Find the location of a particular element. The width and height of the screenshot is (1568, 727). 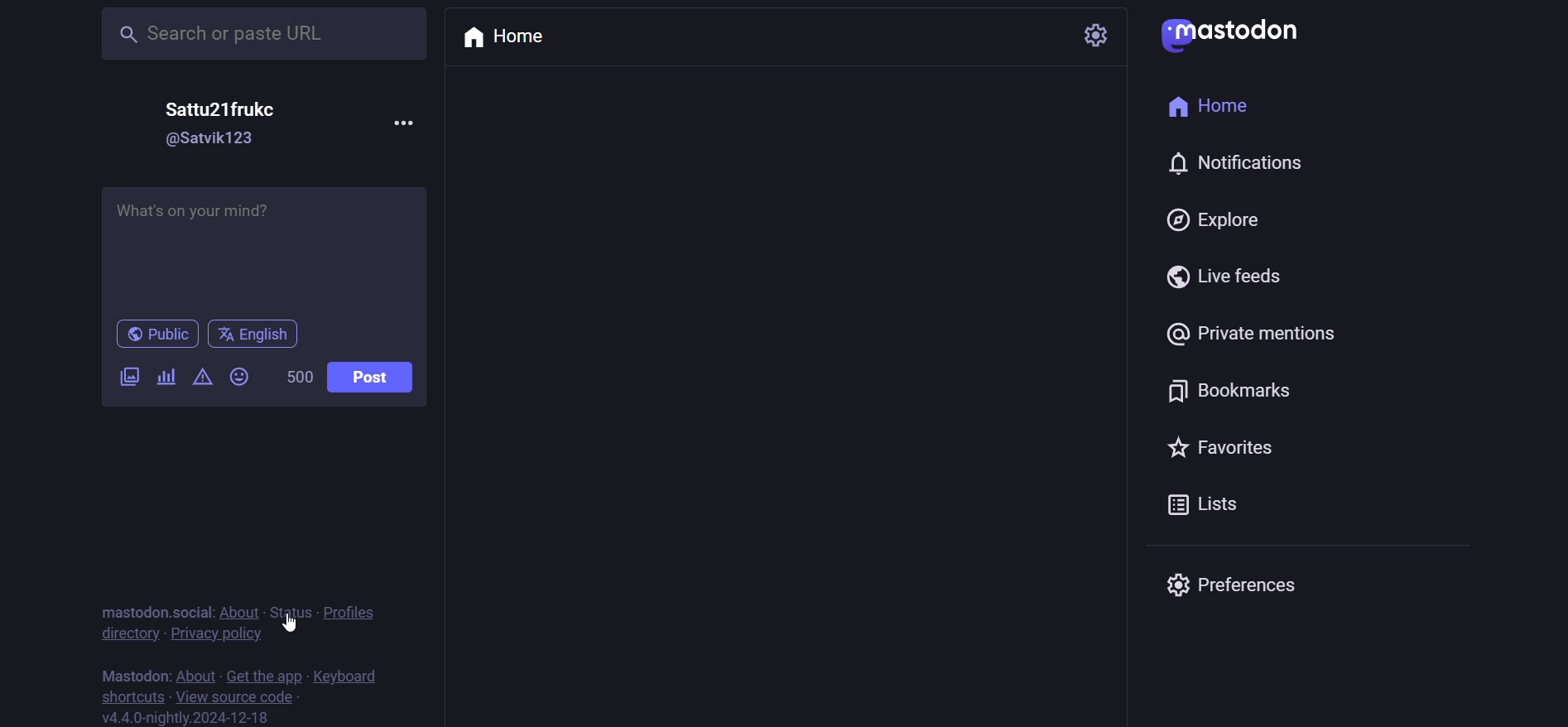

english is located at coordinates (255, 334).